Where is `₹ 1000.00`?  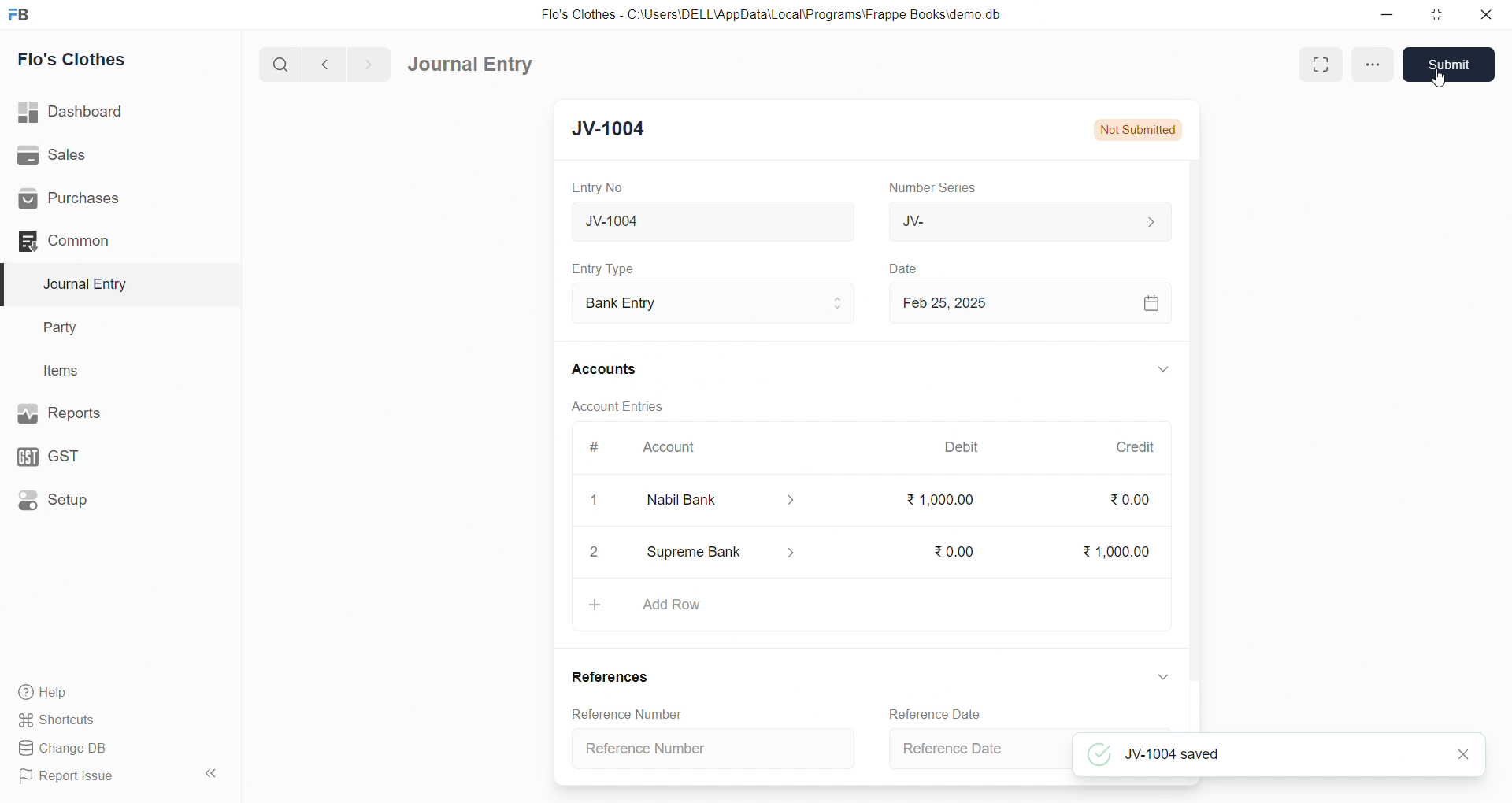
₹ 1000.00 is located at coordinates (1118, 549).